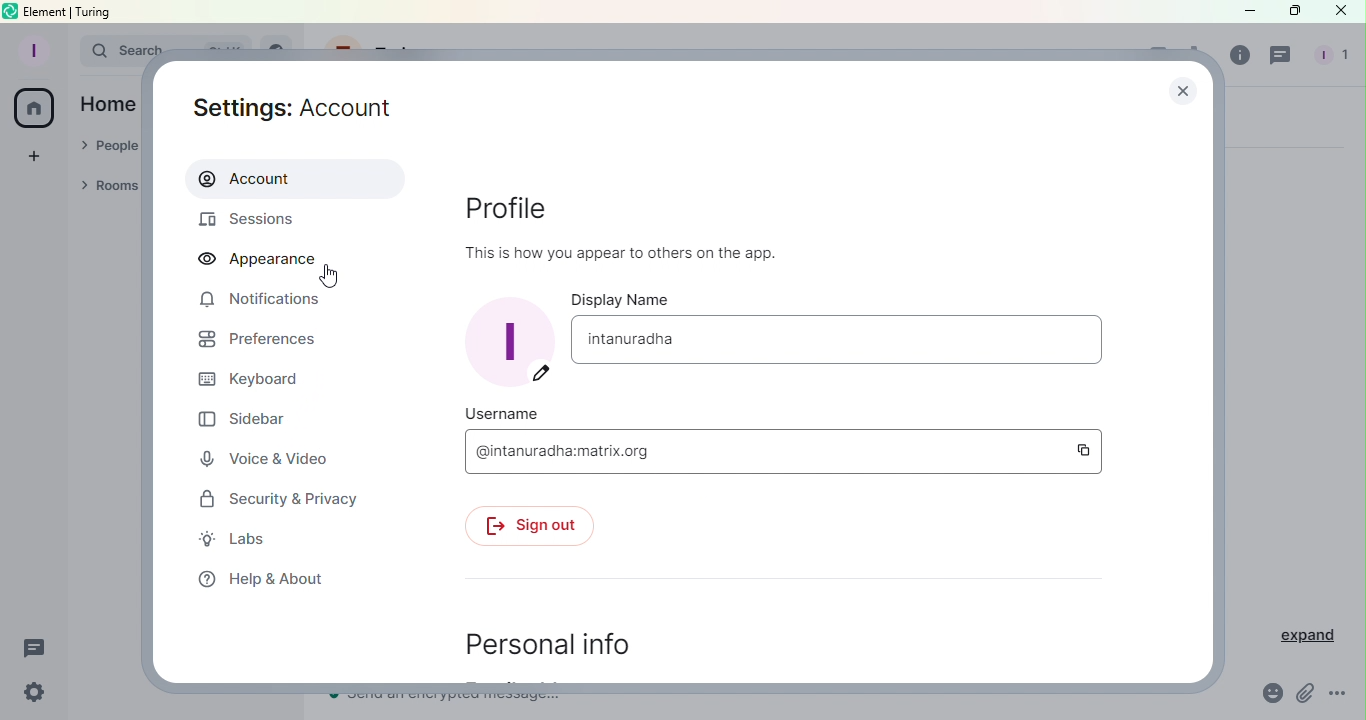 The image size is (1366, 720). What do you see at coordinates (271, 460) in the screenshot?
I see `Voice and video` at bounding box center [271, 460].